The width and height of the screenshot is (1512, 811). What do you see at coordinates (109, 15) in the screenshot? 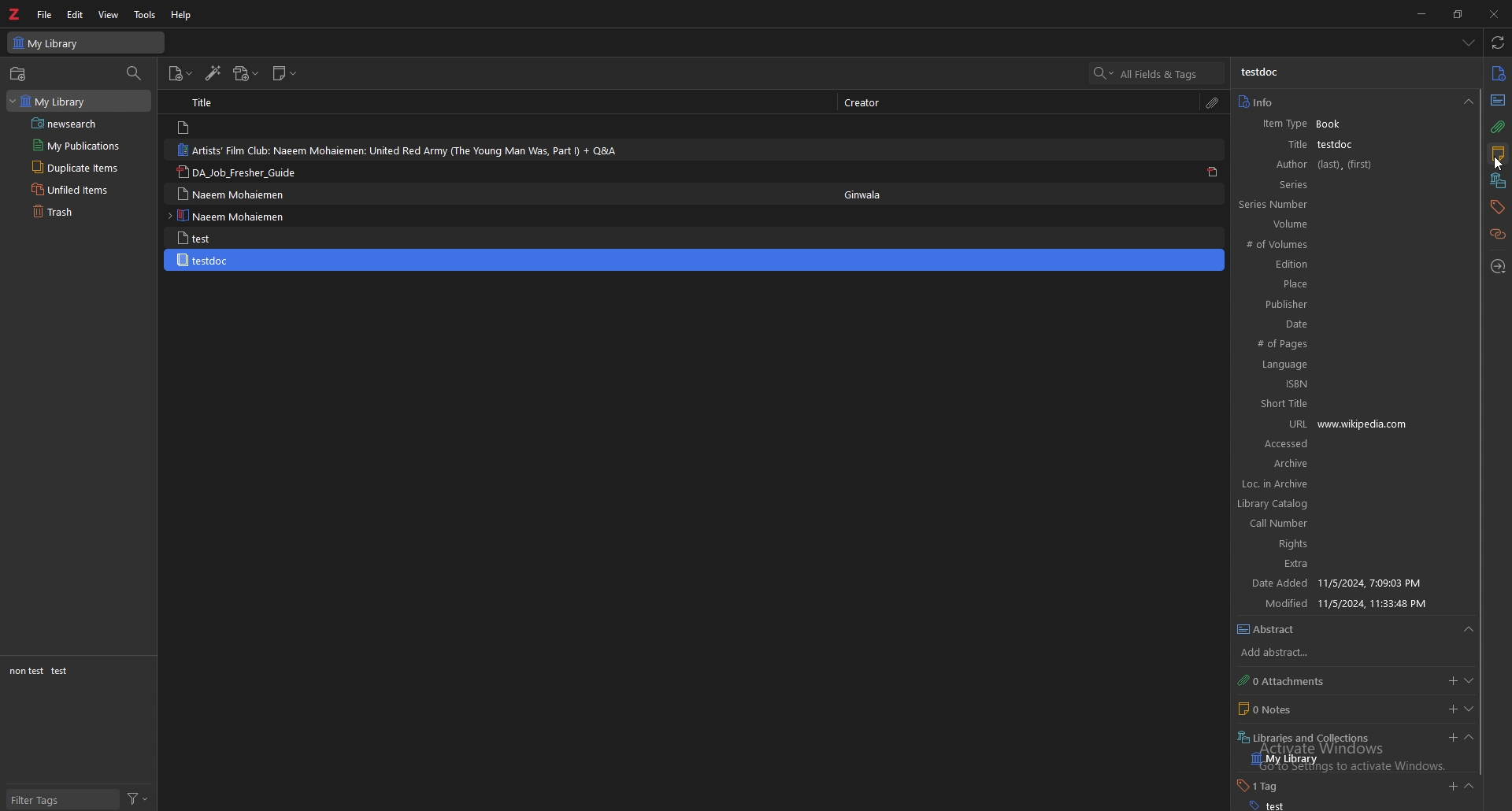
I see `view` at bounding box center [109, 15].